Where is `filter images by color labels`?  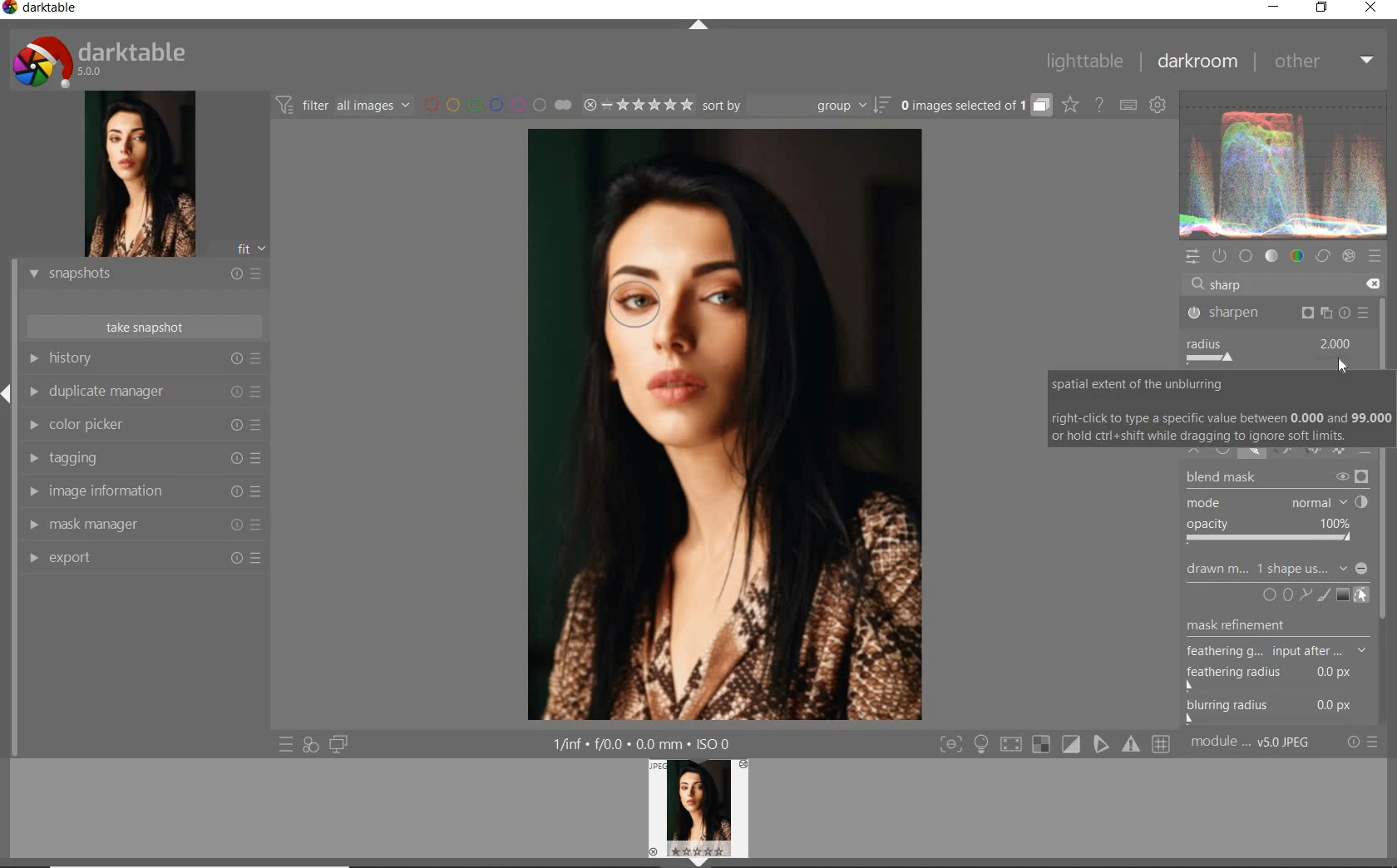
filter images by color labels is located at coordinates (482, 106).